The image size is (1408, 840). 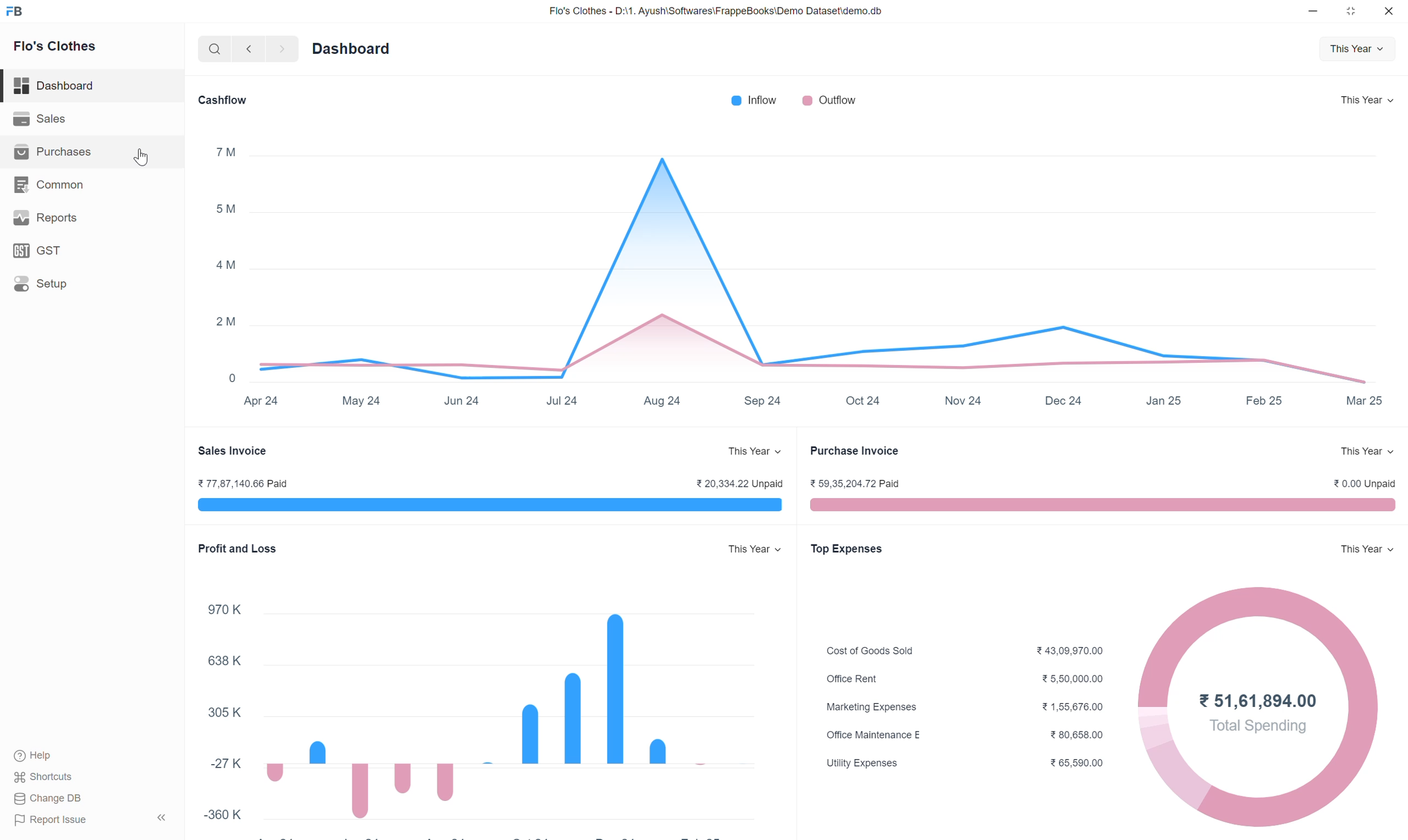 I want to click on This Year, so click(x=757, y=550).